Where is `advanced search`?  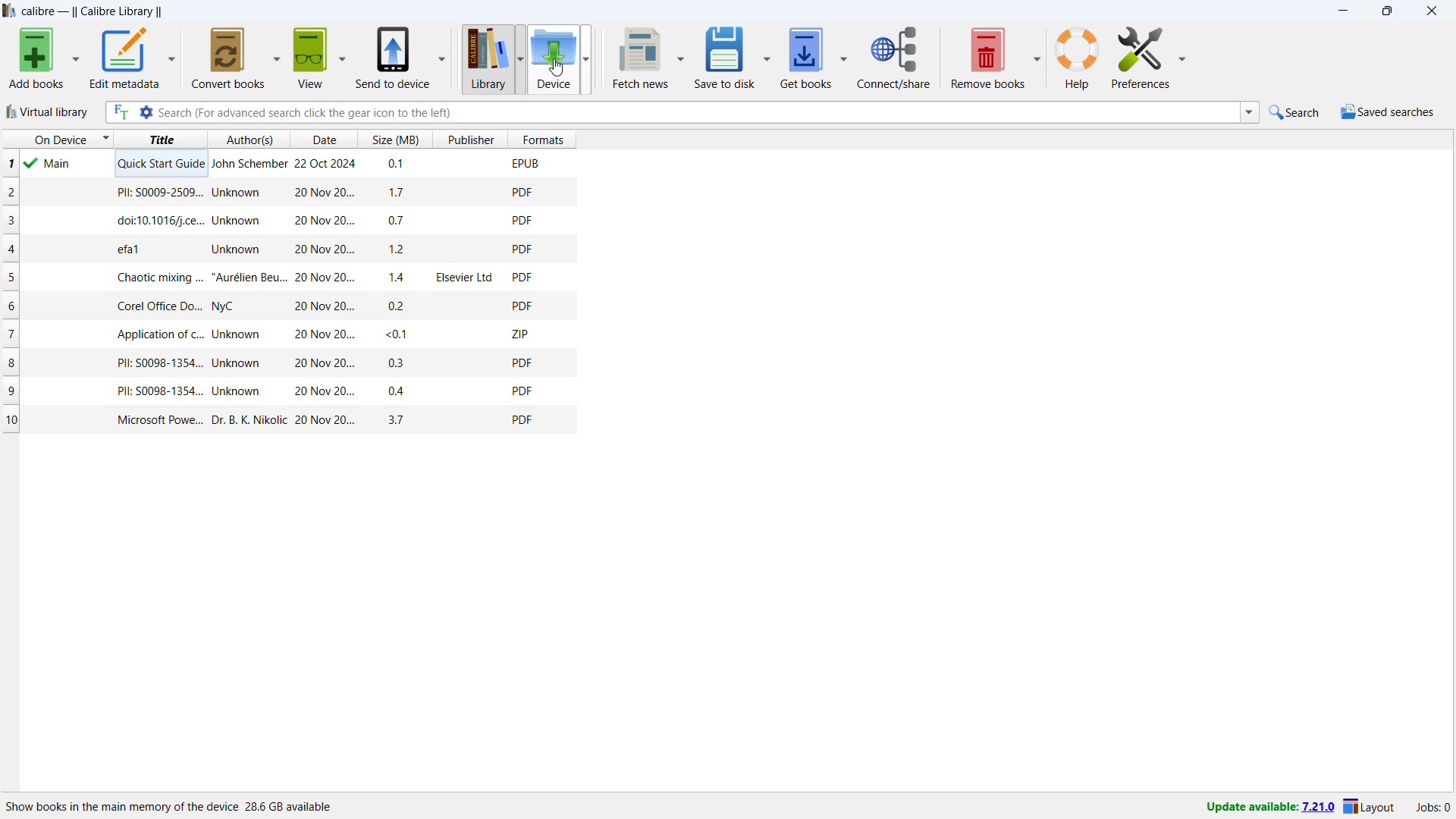
advanced search is located at coordinates (146, 112).